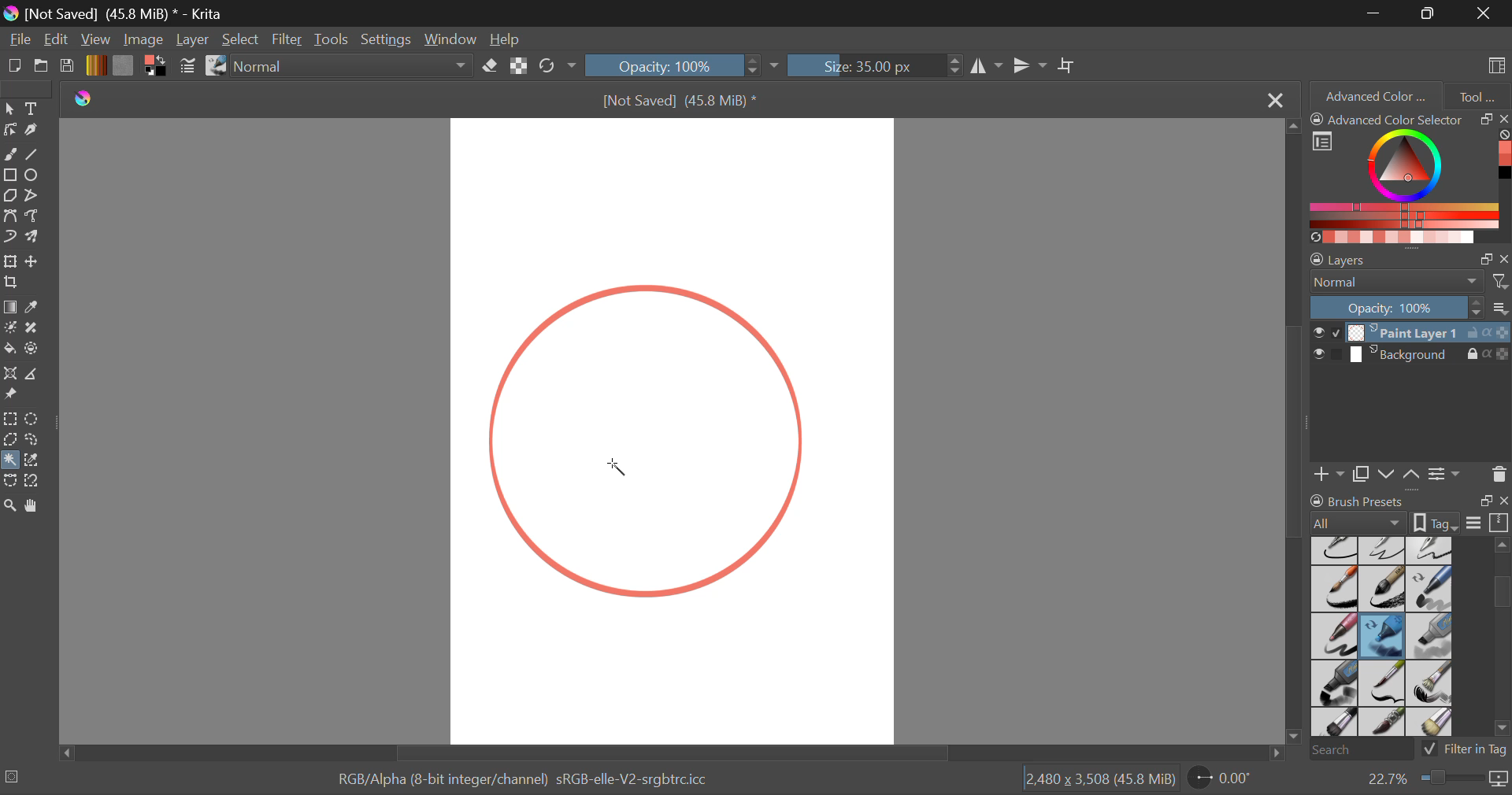  What do you see at coordinates (34, 376) in the screenshot?
I see `Measure Images` at bounding box center [34, 376].